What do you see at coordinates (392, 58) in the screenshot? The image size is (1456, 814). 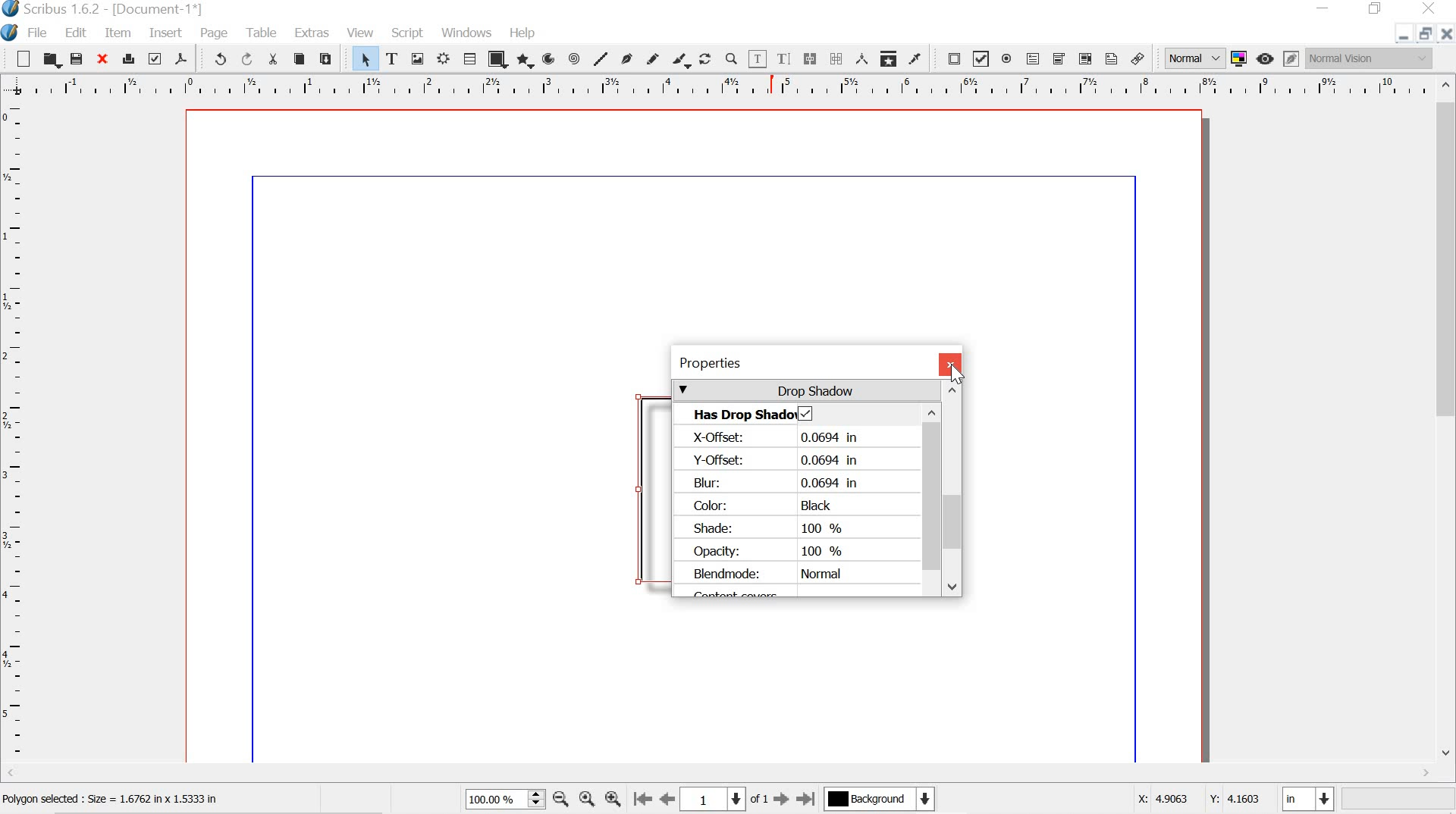 I see `text frame` at bounding box center [392, 58].